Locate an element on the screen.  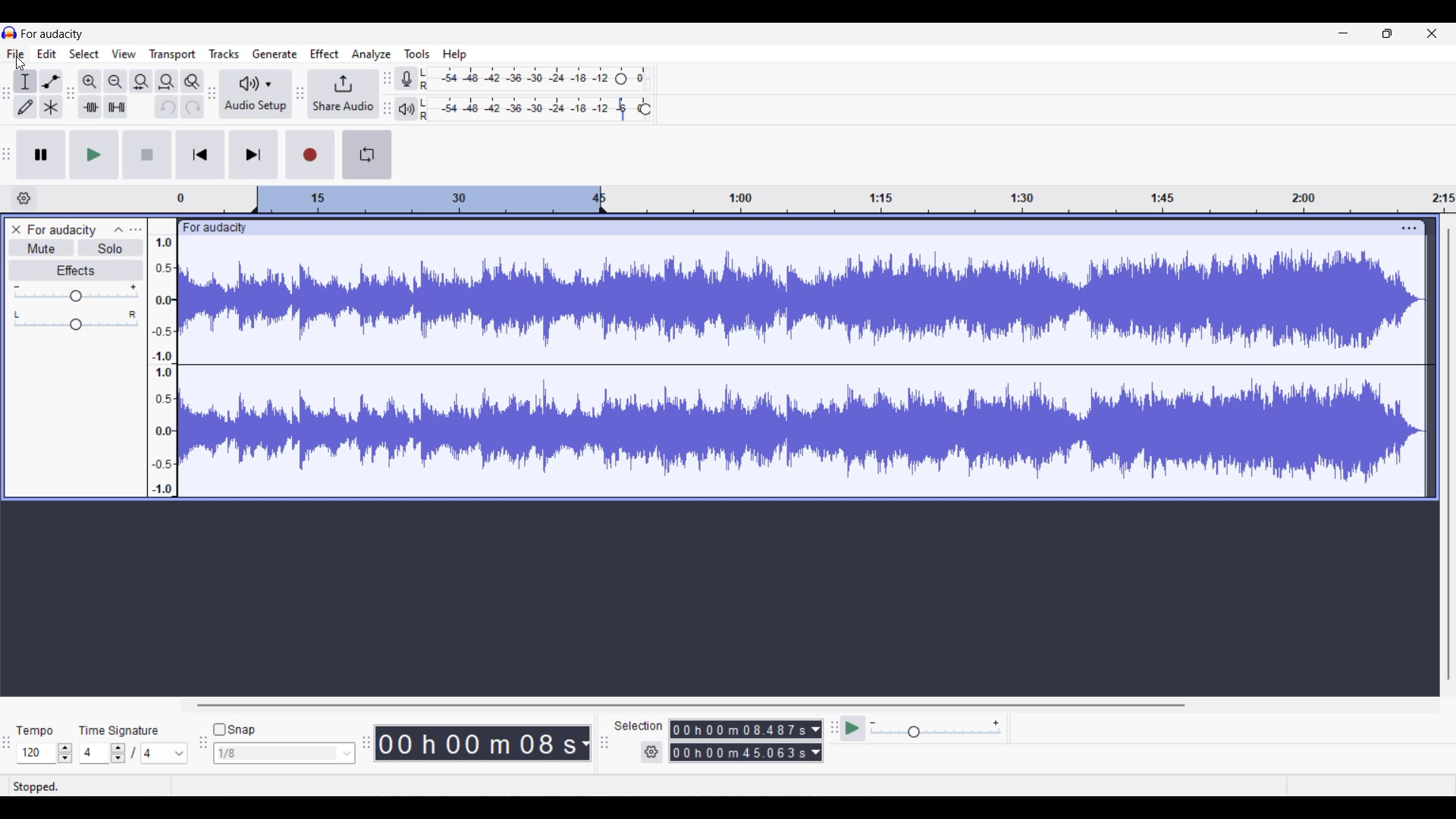
Playback speed scale is located at coordinates (936, 728).